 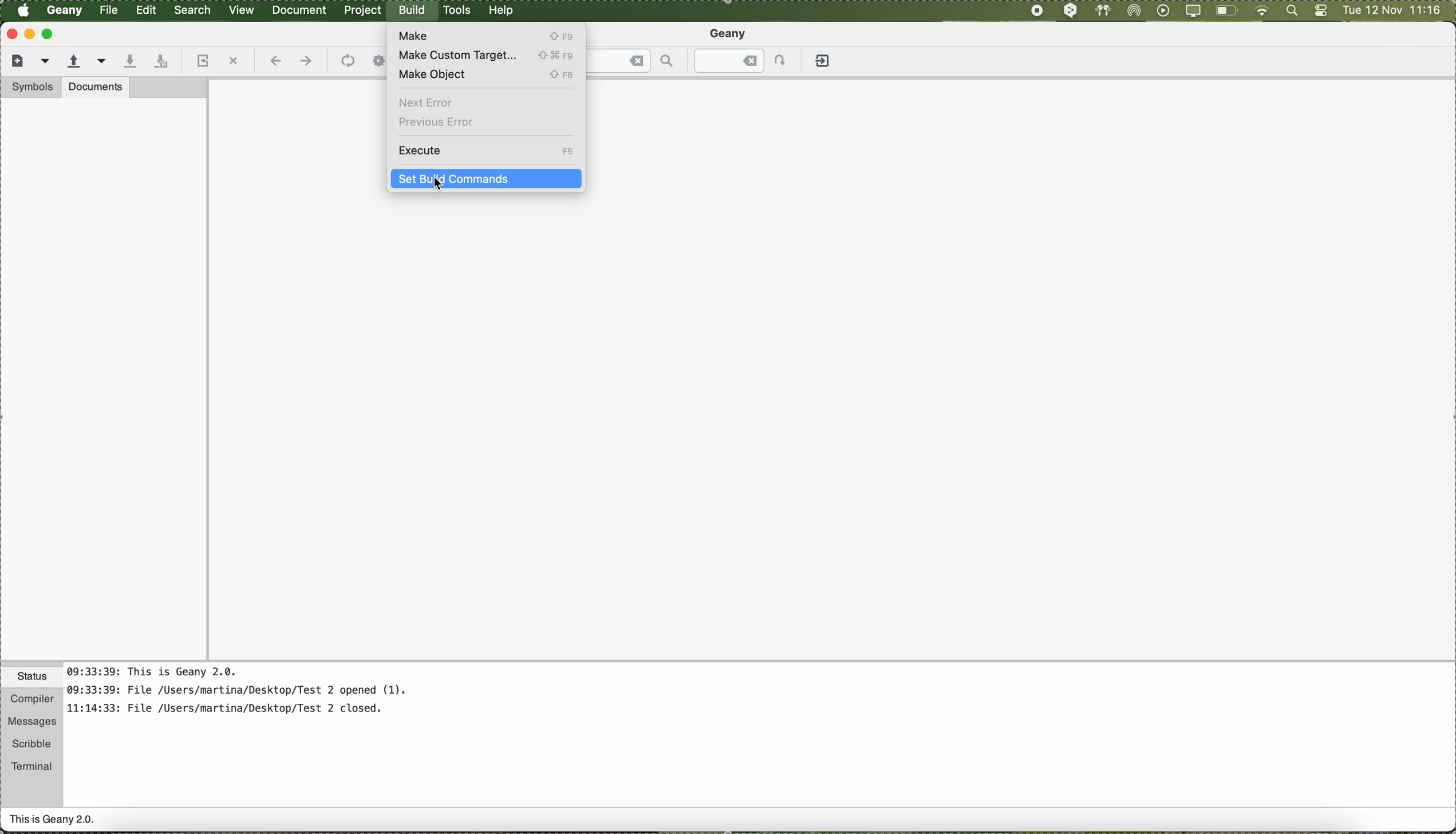 I want to click on sidebar, so click(x=104, y=379).